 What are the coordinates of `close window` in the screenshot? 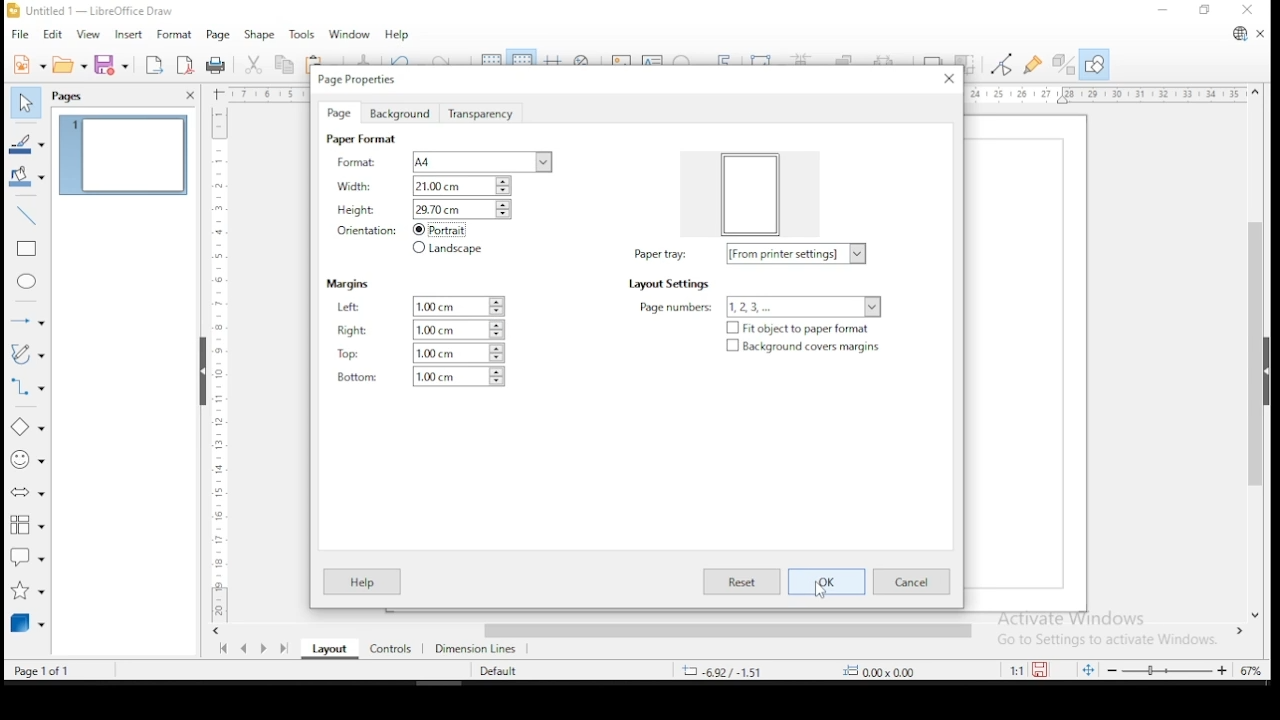 It's located at (1250, 12).